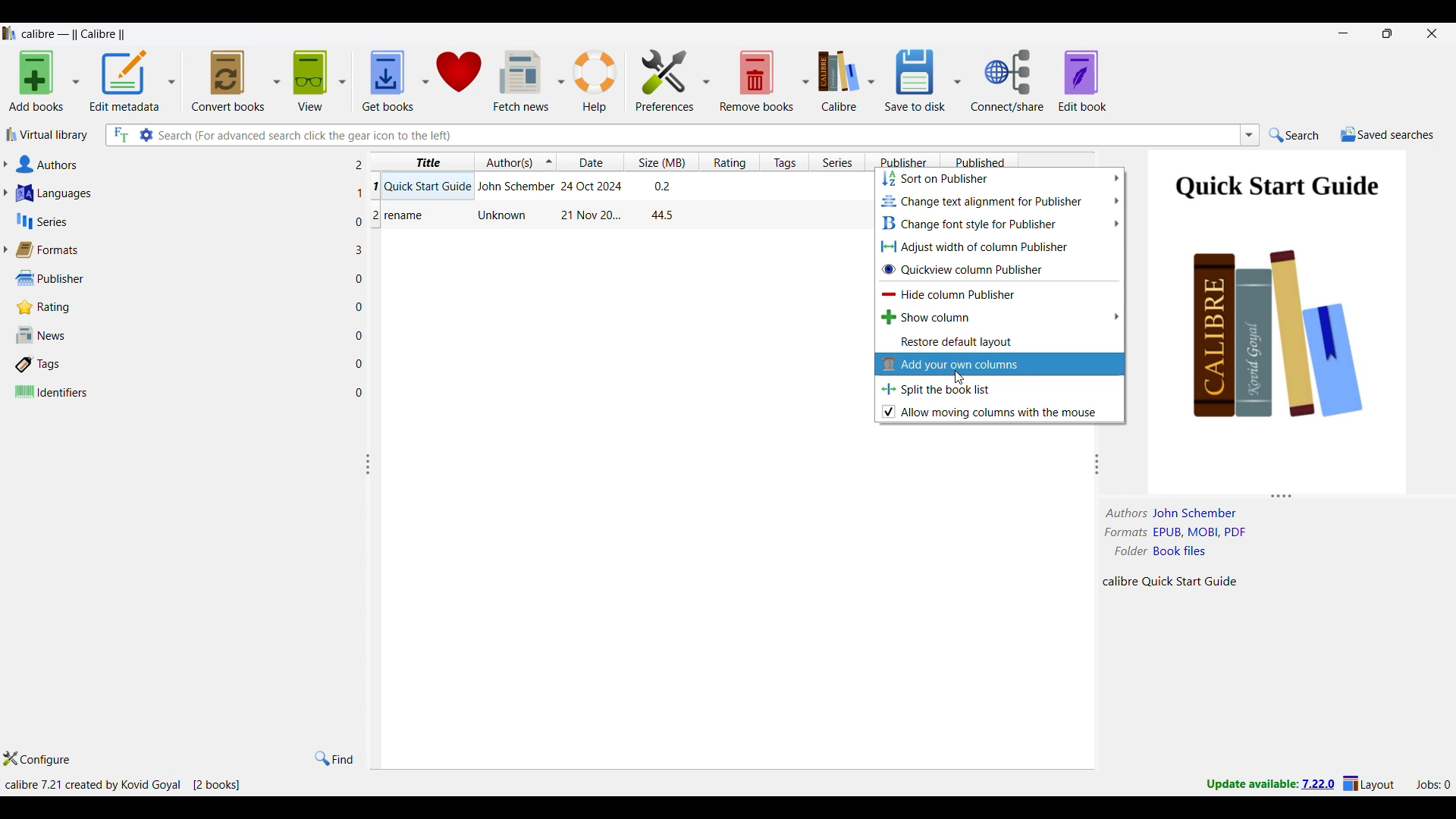 The width and height of the screenshot is (1456, 819). I want to click on Options to edit metadata, so click(133, 80).